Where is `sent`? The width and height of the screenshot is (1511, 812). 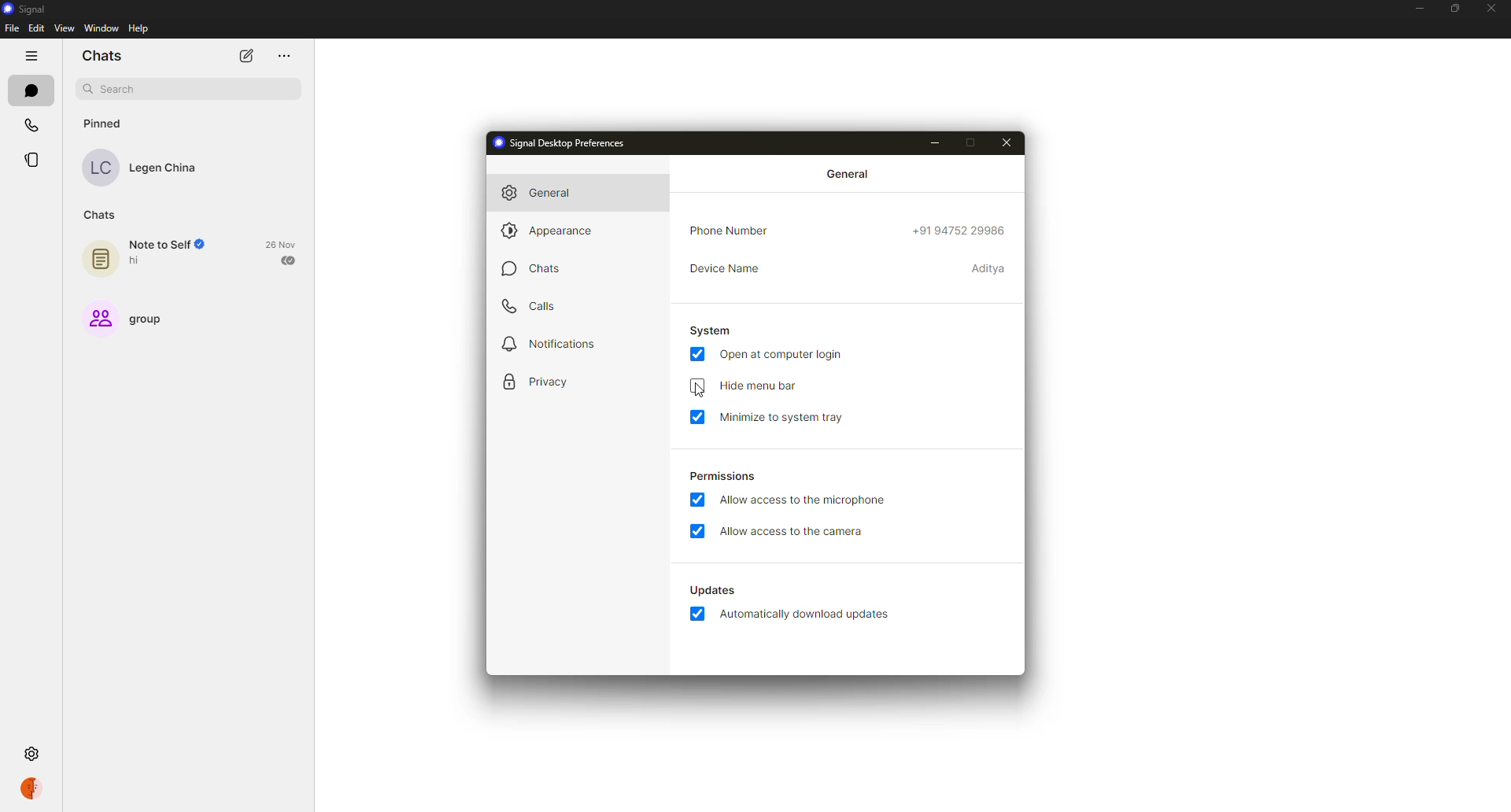
sent is located at coordinates (290, 260).